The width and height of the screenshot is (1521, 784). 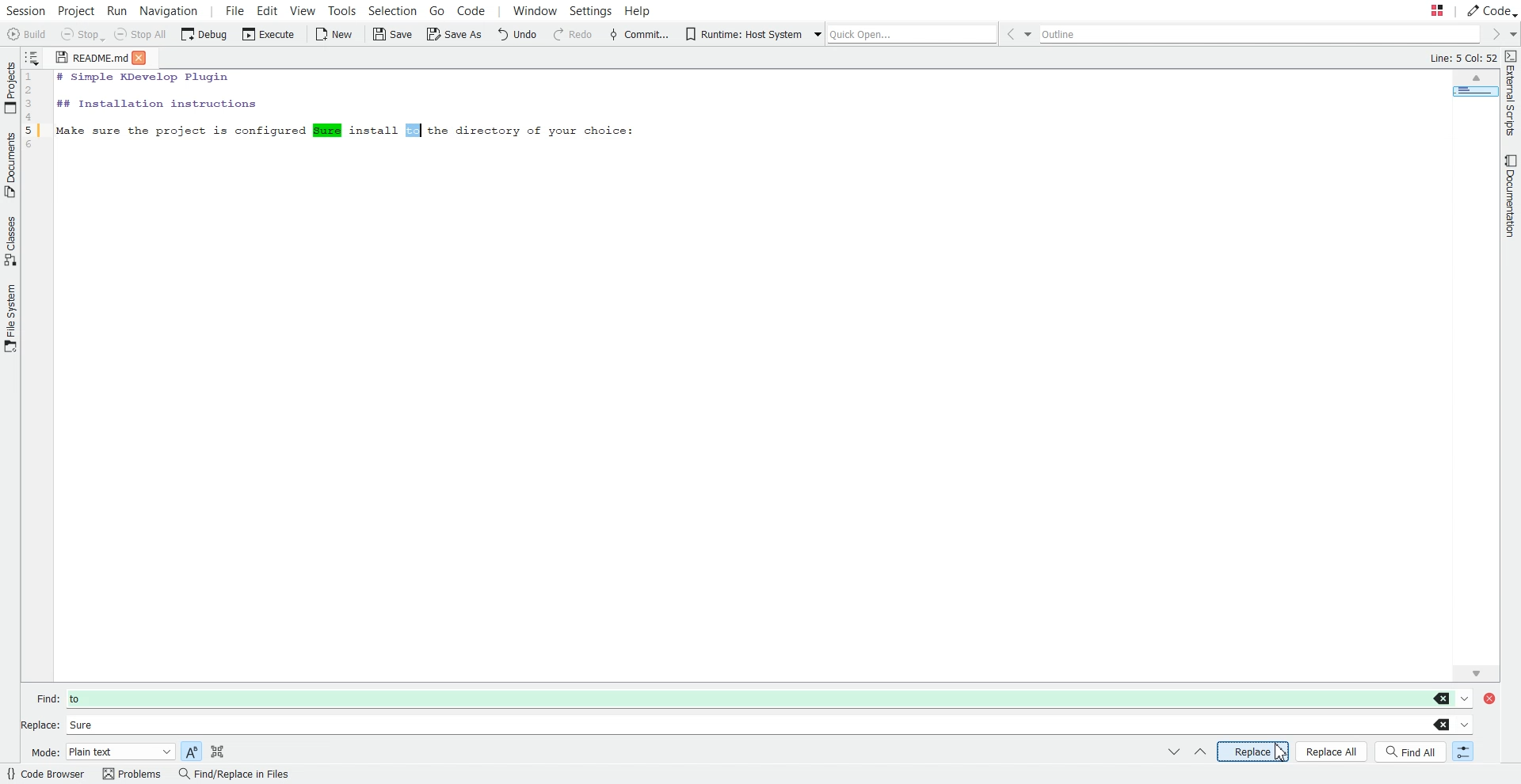 What do you see at coordinates (1477, 670) in the screenshot?
I see `Scroll Bar Down` at bounding box center [1477, 670].